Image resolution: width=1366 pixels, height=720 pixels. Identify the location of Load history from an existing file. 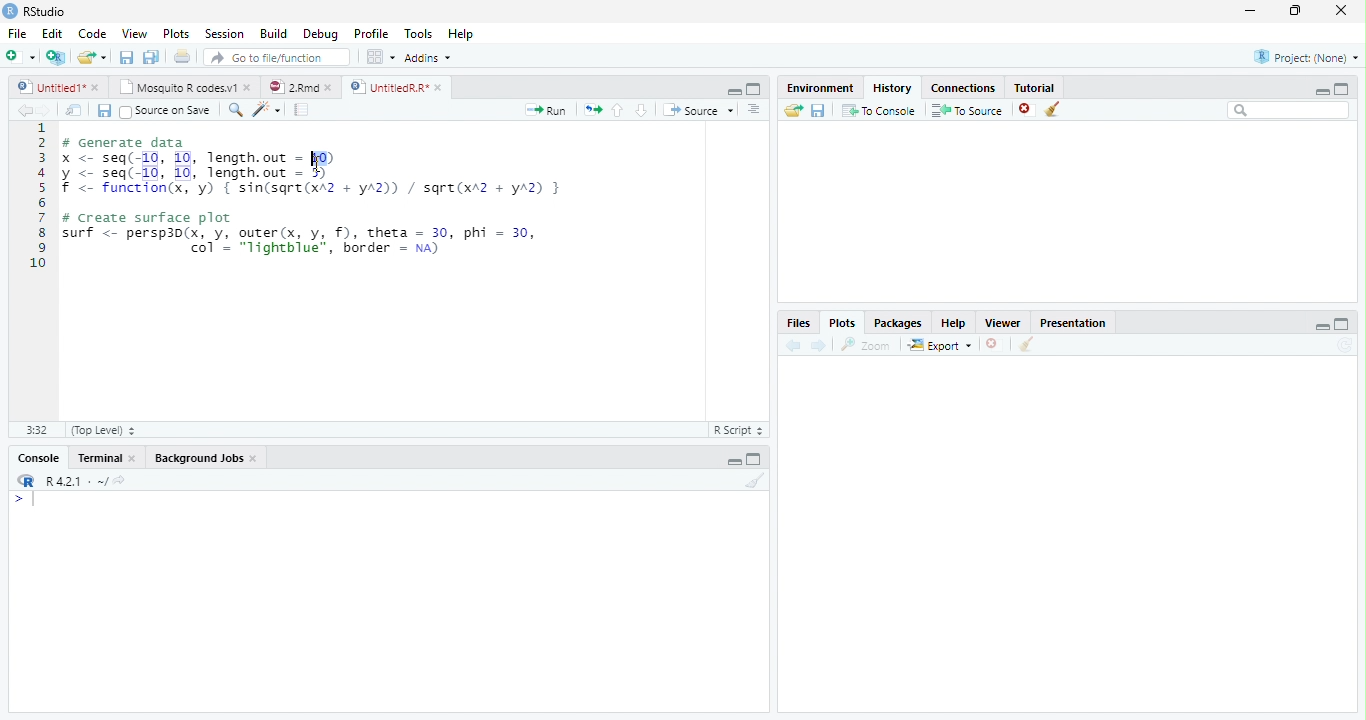
(792, 111).